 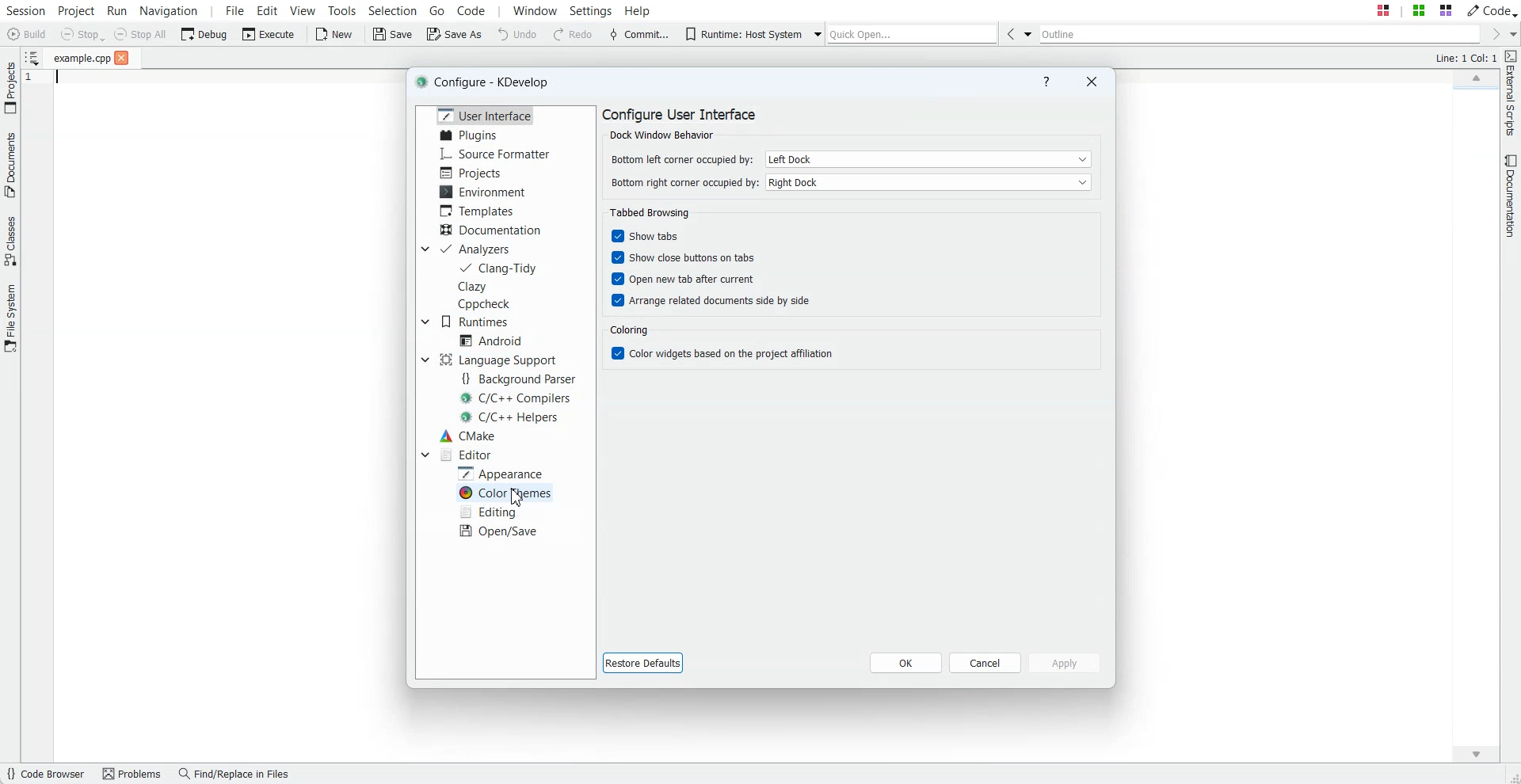 I want to click on Help, so click(x=1046, y=82).